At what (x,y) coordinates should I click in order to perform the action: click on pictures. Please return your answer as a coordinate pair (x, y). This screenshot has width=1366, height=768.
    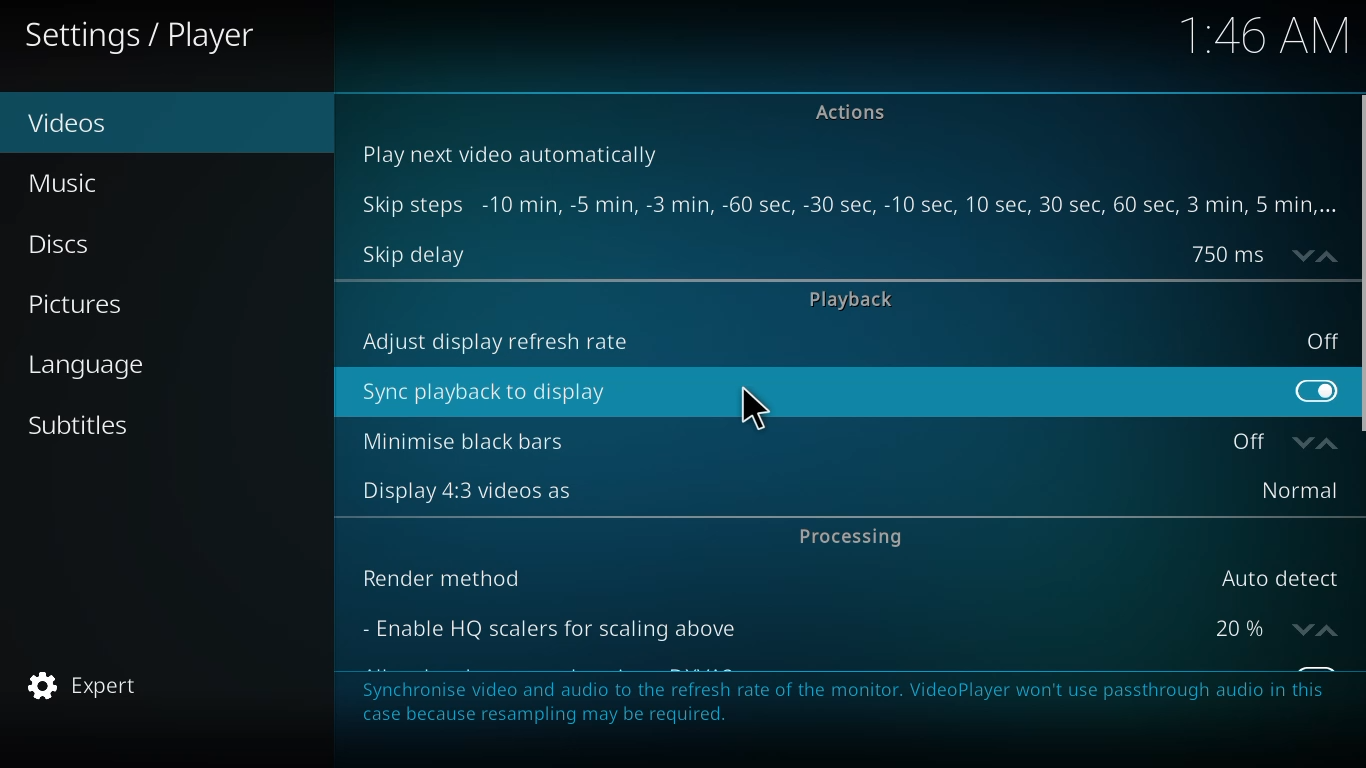
    Looking at the image, I should click on (81, 305).